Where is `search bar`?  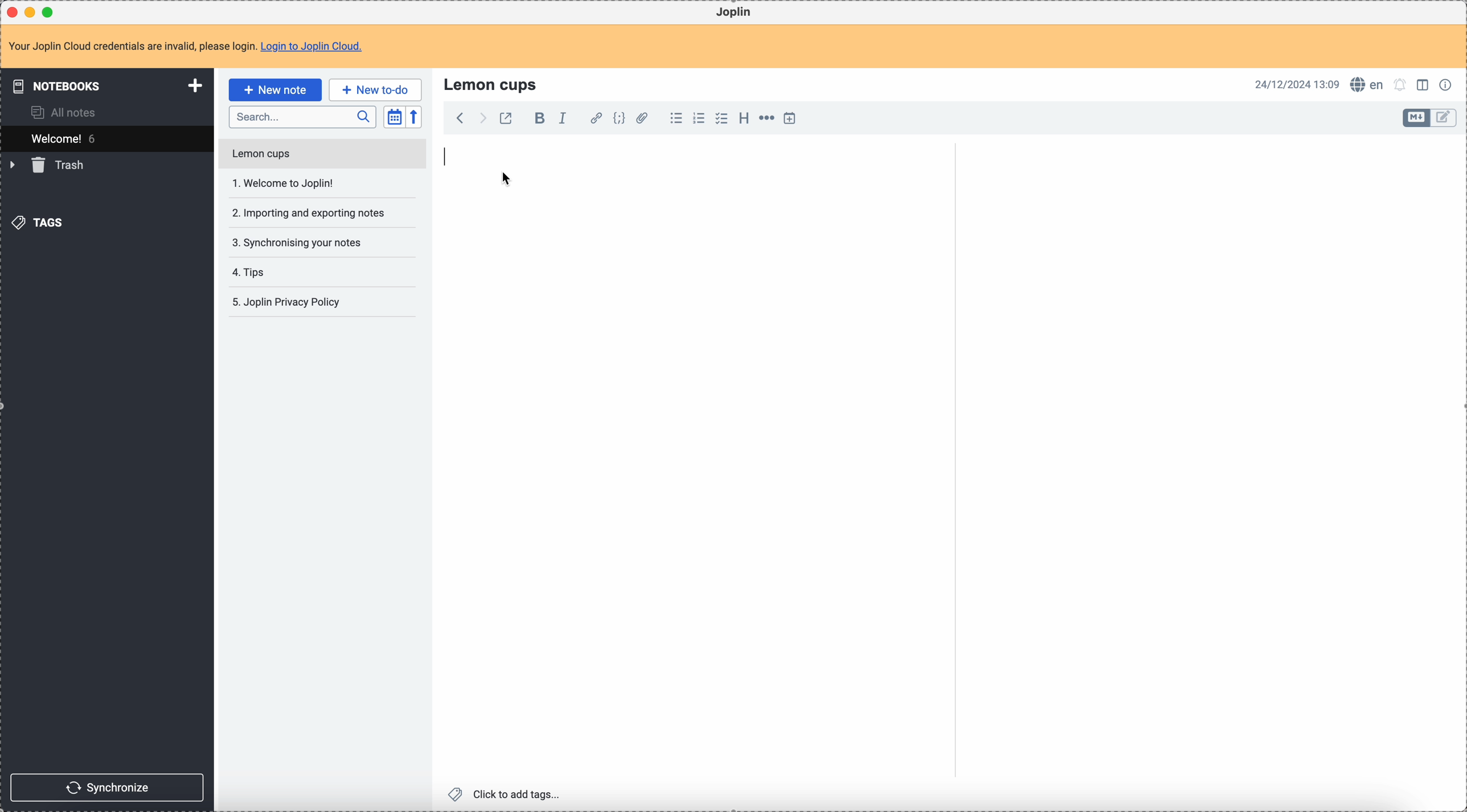
search bar is located at coordinates (302, 117).